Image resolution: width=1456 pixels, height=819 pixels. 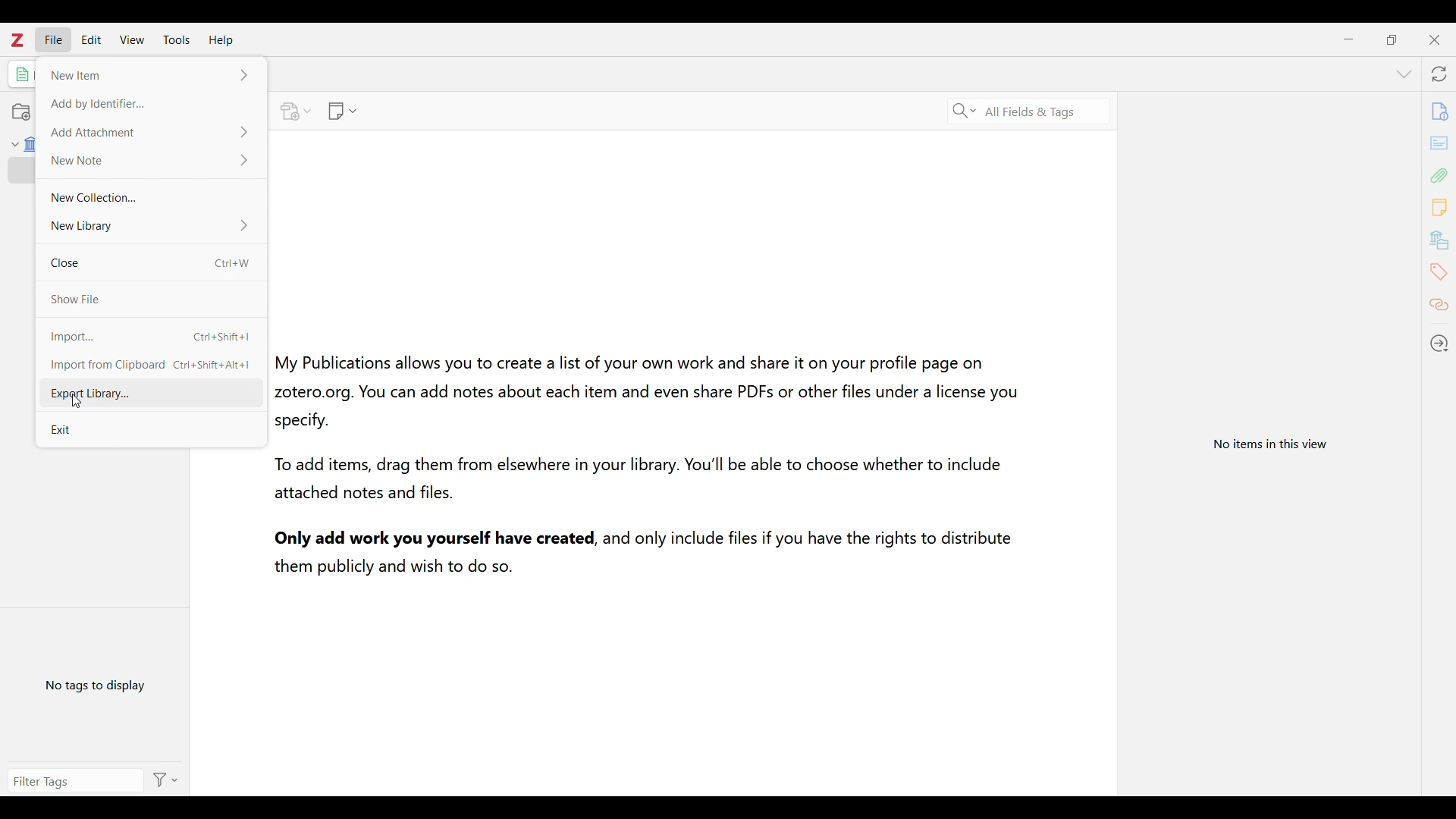 I want to click on Add by Identifier, so click(x=152, y=105).